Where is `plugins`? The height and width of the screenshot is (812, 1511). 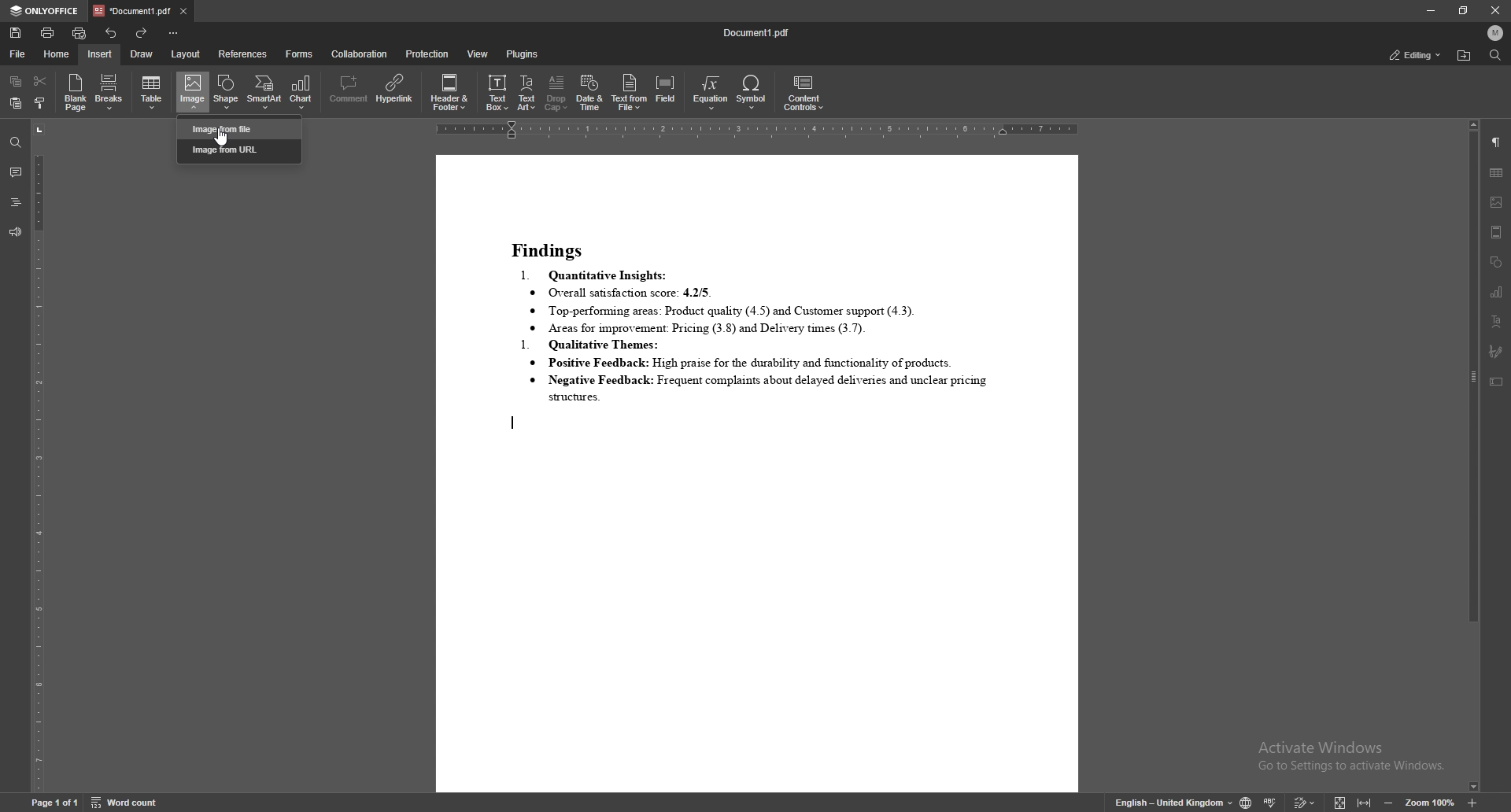 plugins is located at coordinates (524, 54).